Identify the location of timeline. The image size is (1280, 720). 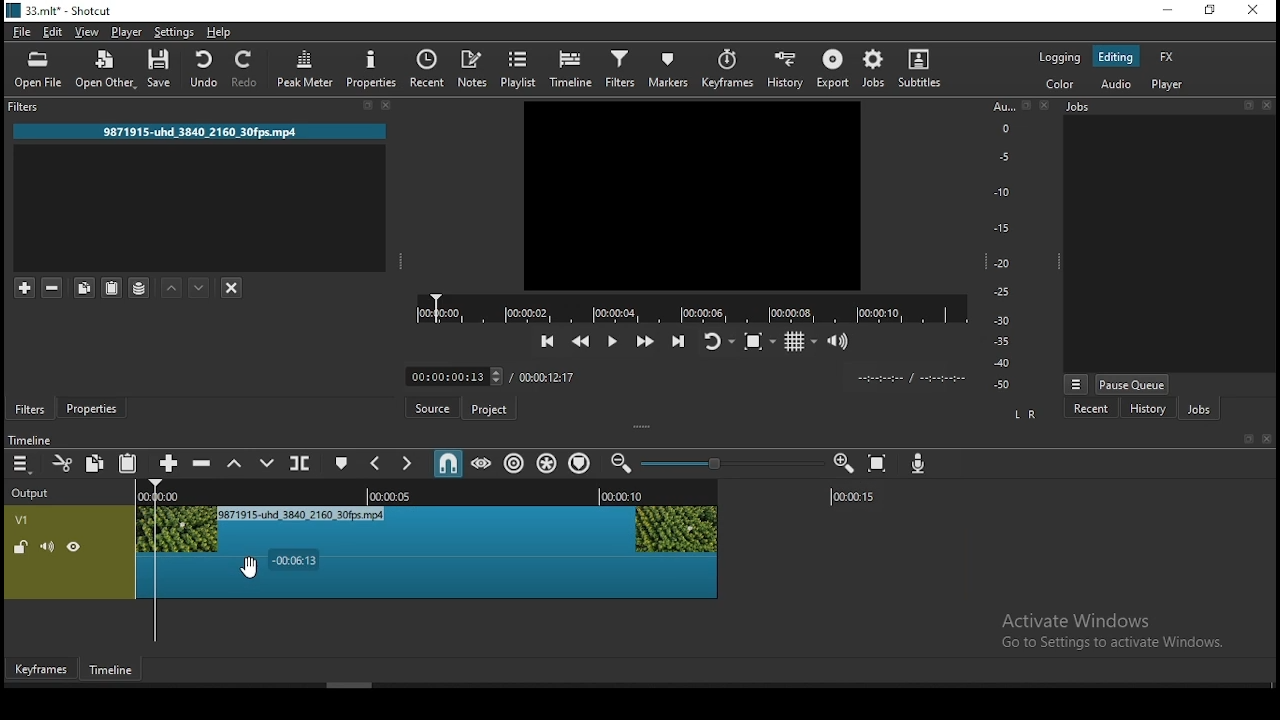
(32, 439).